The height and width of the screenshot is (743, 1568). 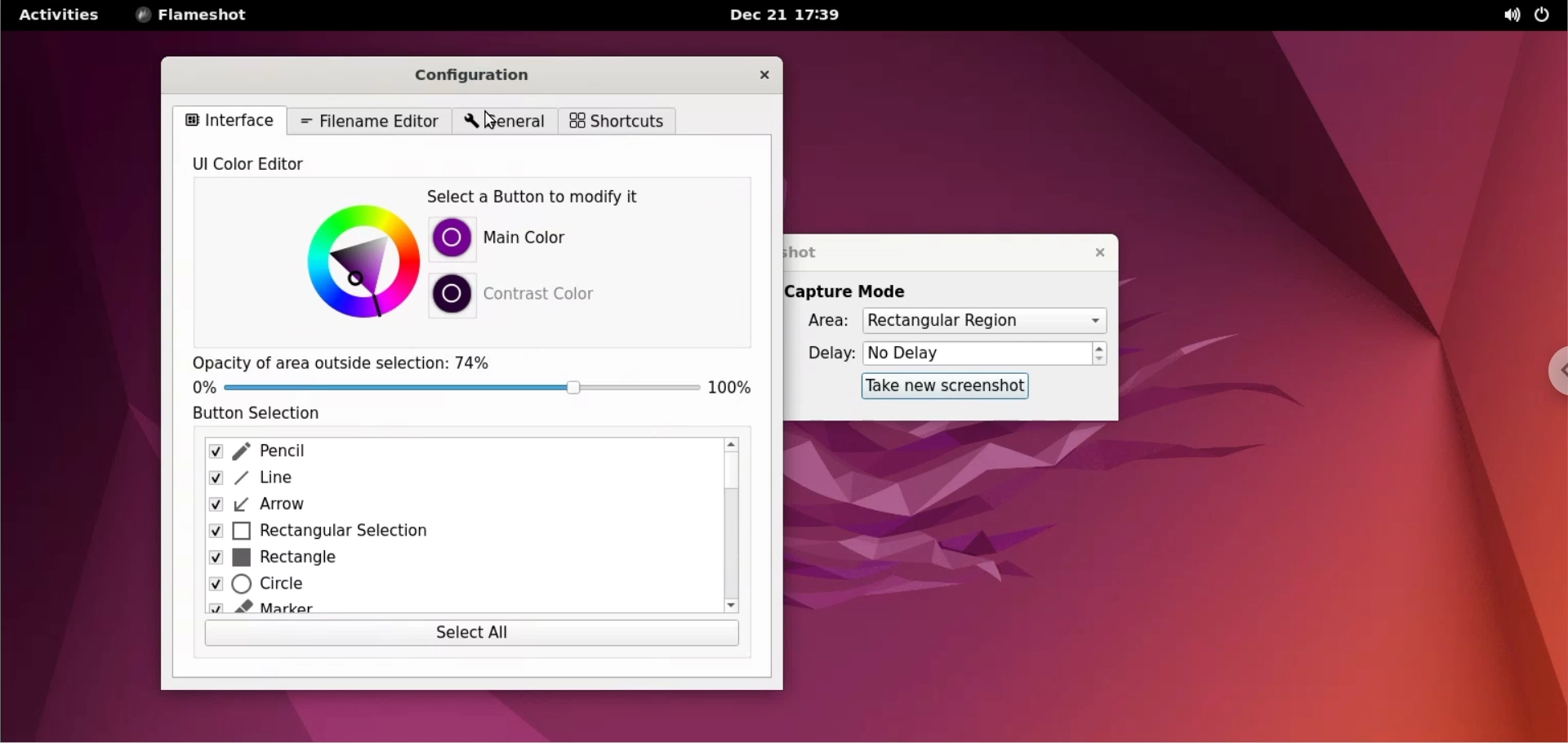 I want to click on rectangular selection checkbox, so click(x=460, y=531).